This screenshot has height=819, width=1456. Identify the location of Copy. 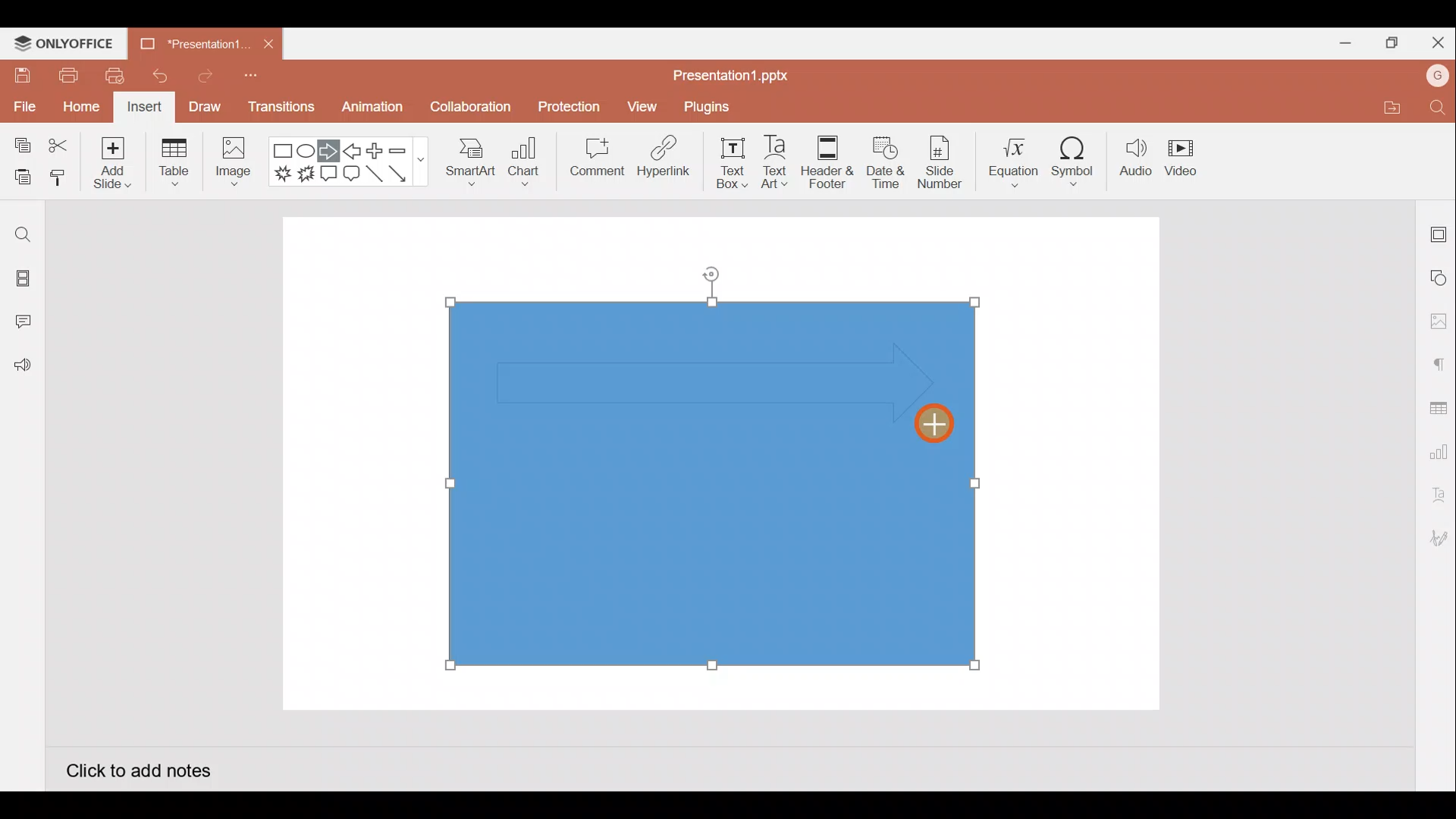
(20, 146).